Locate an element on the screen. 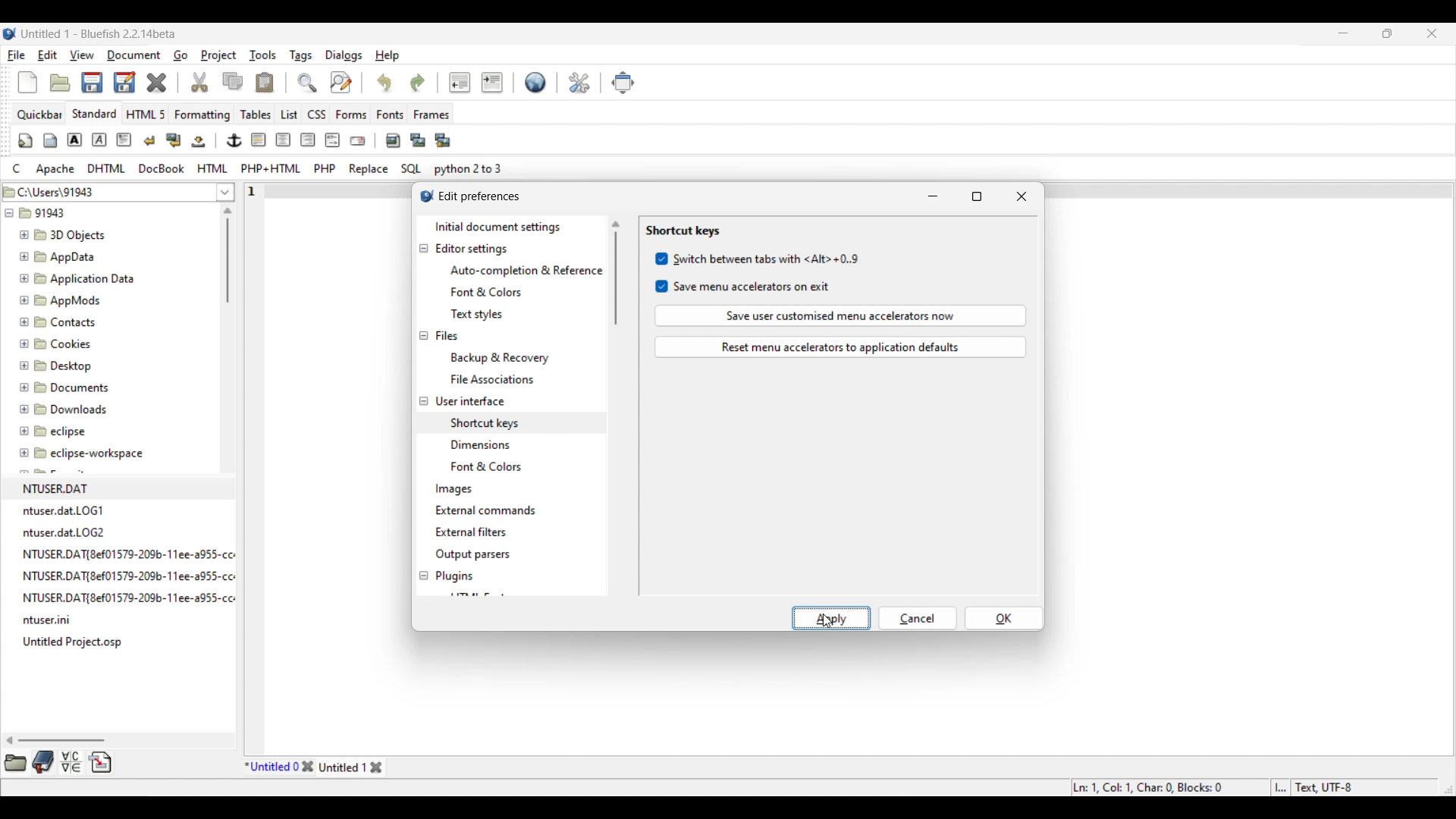 Image resolution: width=1456 pixels, height=819 pixels. File Associations is located at coordinates (491, 379).